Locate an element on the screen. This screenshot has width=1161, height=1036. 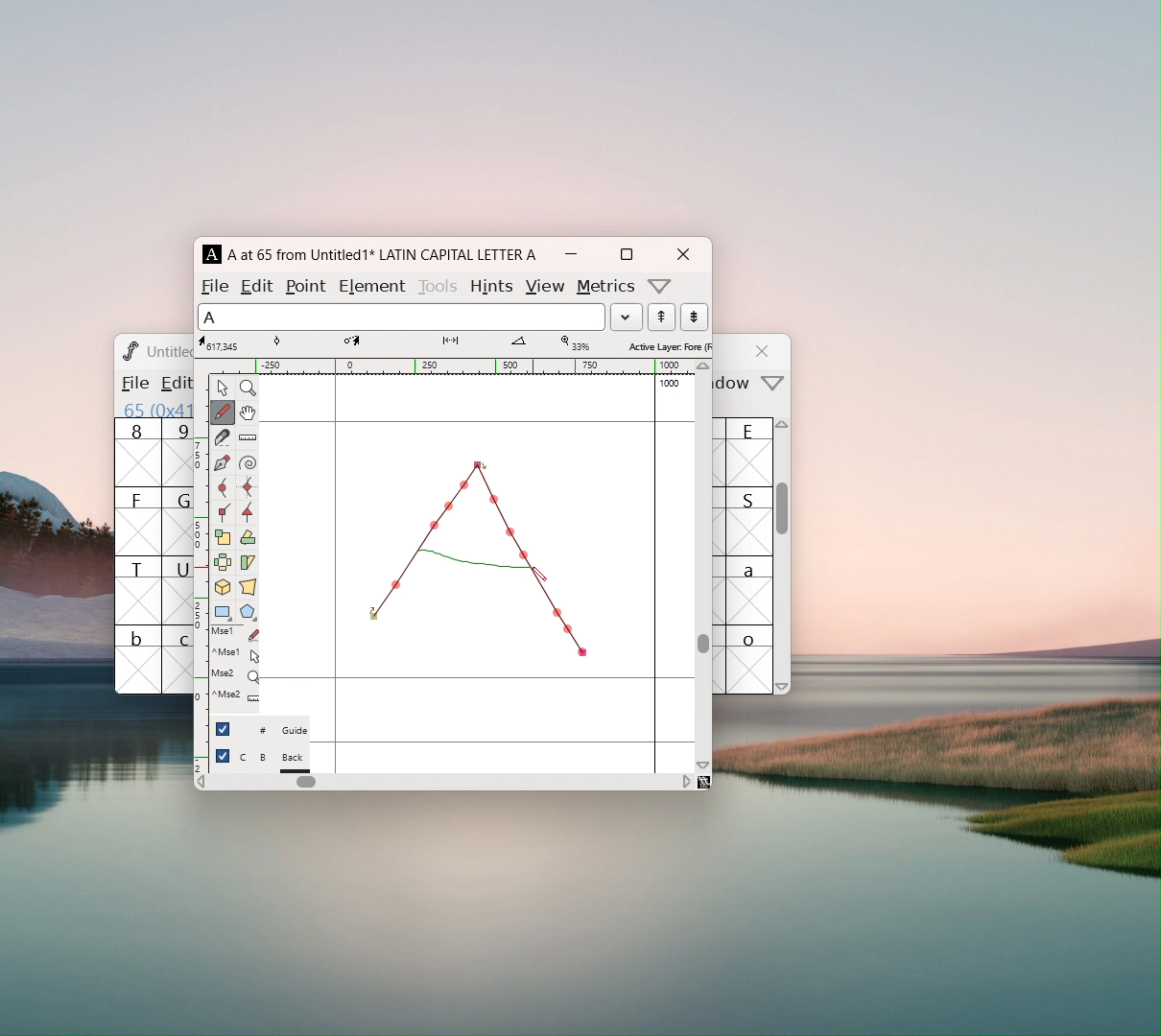
measure distance, angle between points is located at coordinates (248, 438).